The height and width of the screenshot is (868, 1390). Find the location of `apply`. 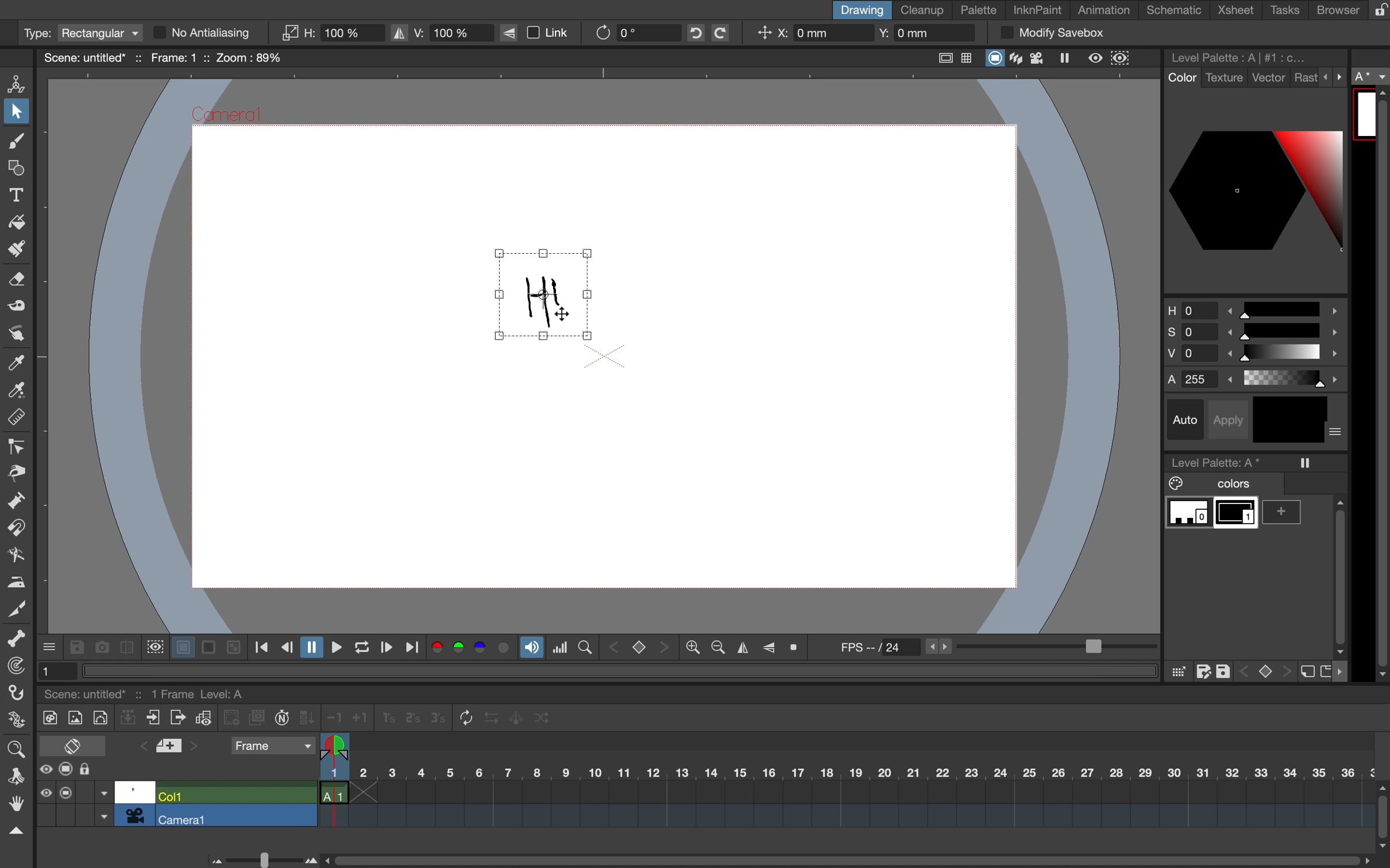

apply is located at coordinates (1232, 418).